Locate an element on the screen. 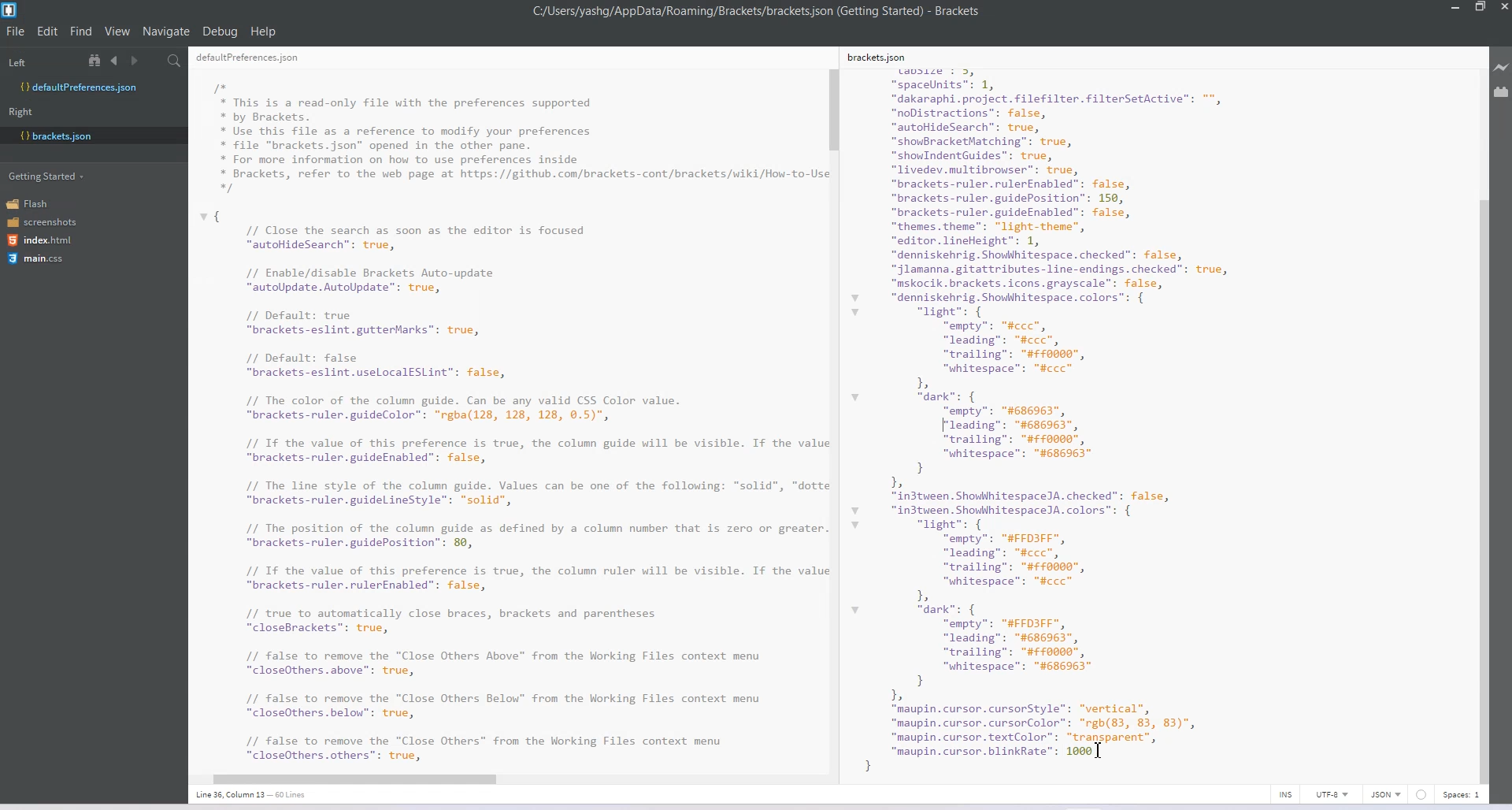  Find in Files is located at coordinates (176, 61).